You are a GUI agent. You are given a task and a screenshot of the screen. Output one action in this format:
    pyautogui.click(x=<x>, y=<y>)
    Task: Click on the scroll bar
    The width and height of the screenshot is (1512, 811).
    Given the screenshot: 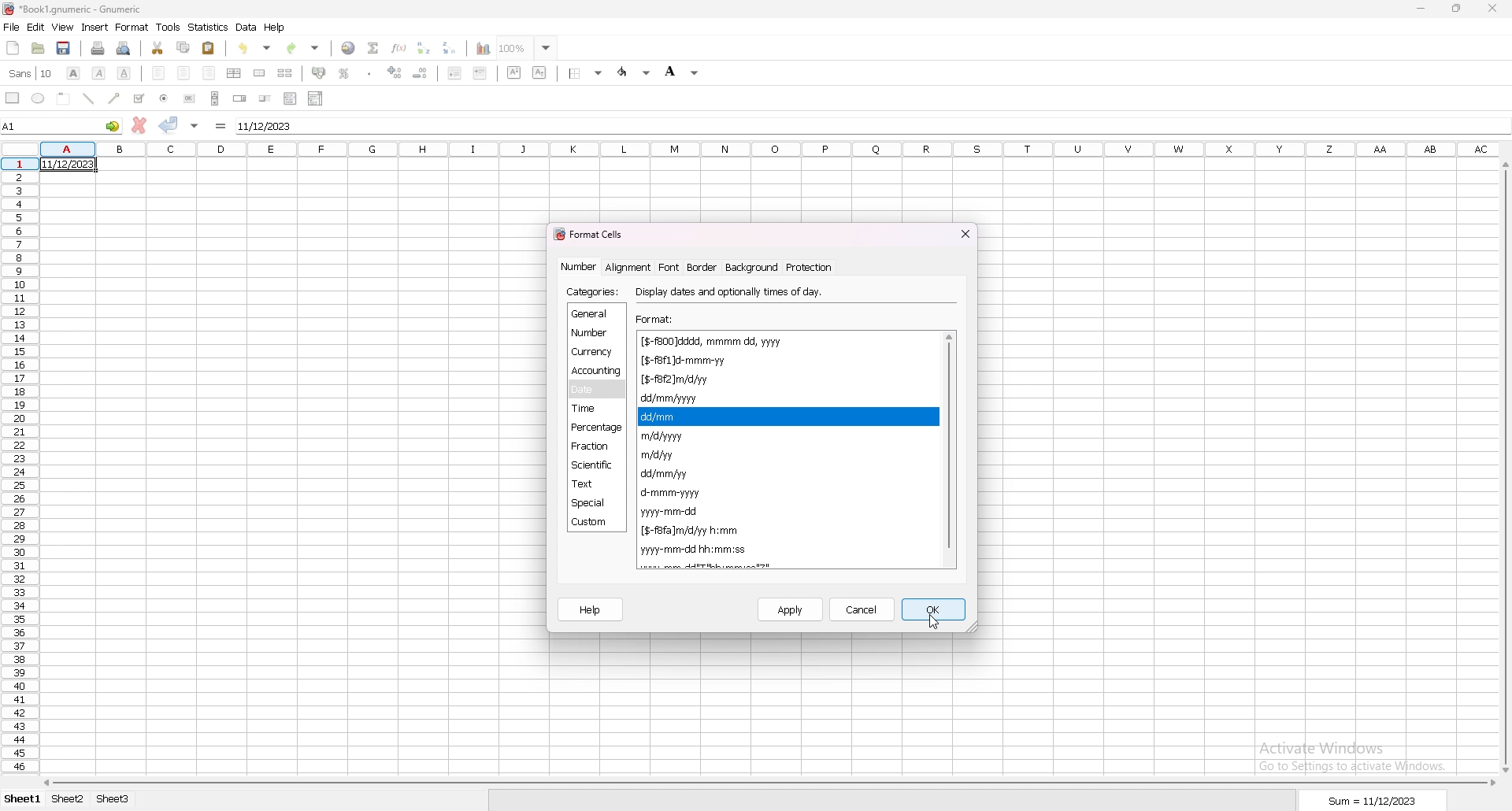 What is the action you would take?
    pyautogui.click(x=947, y=449)
    